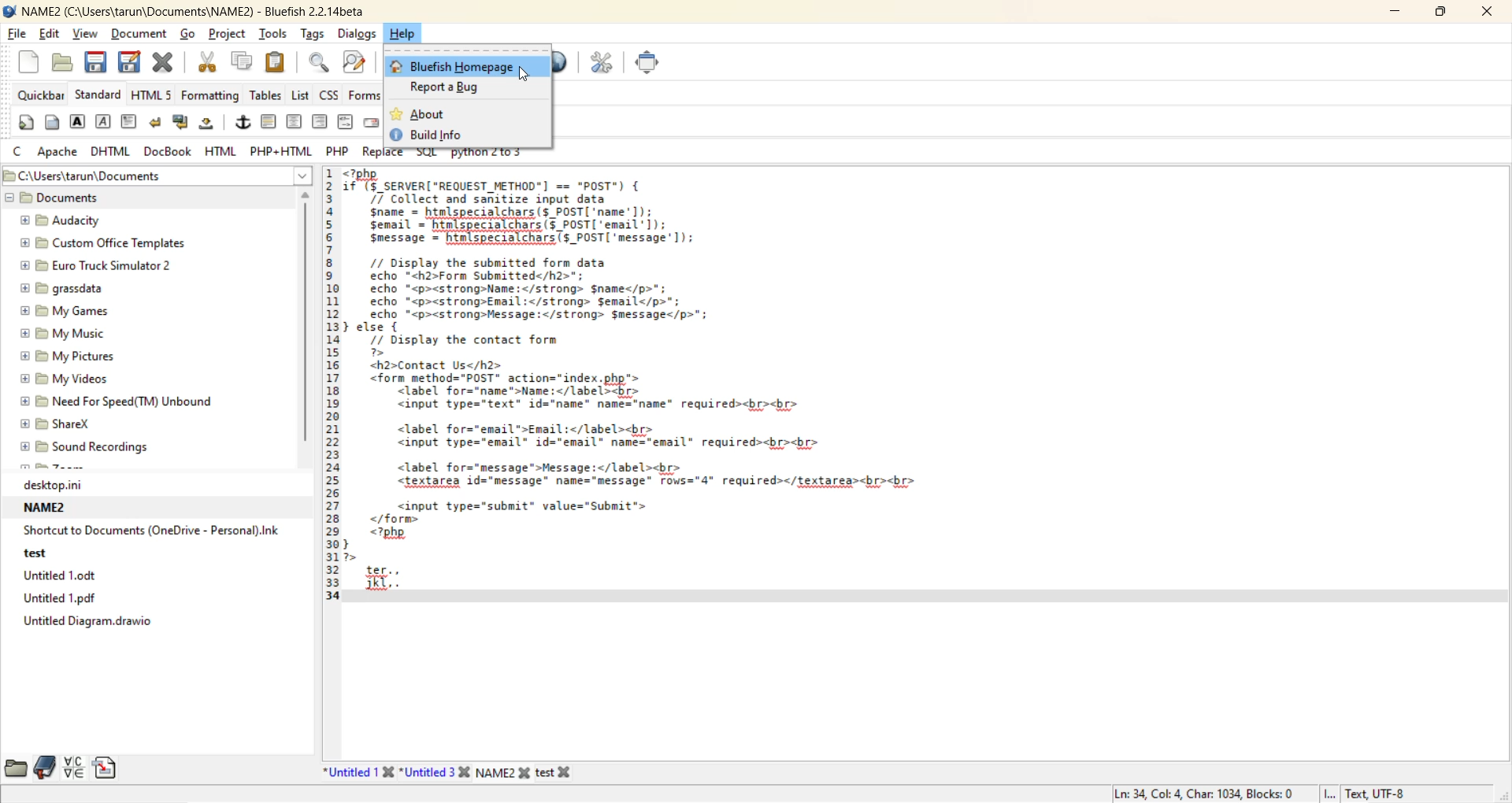 This screenshot has width=1512, height=803. What do you see at coordinates (18, 766) in the screenshot?
I see `file browser` at bounding box center [18, 766].